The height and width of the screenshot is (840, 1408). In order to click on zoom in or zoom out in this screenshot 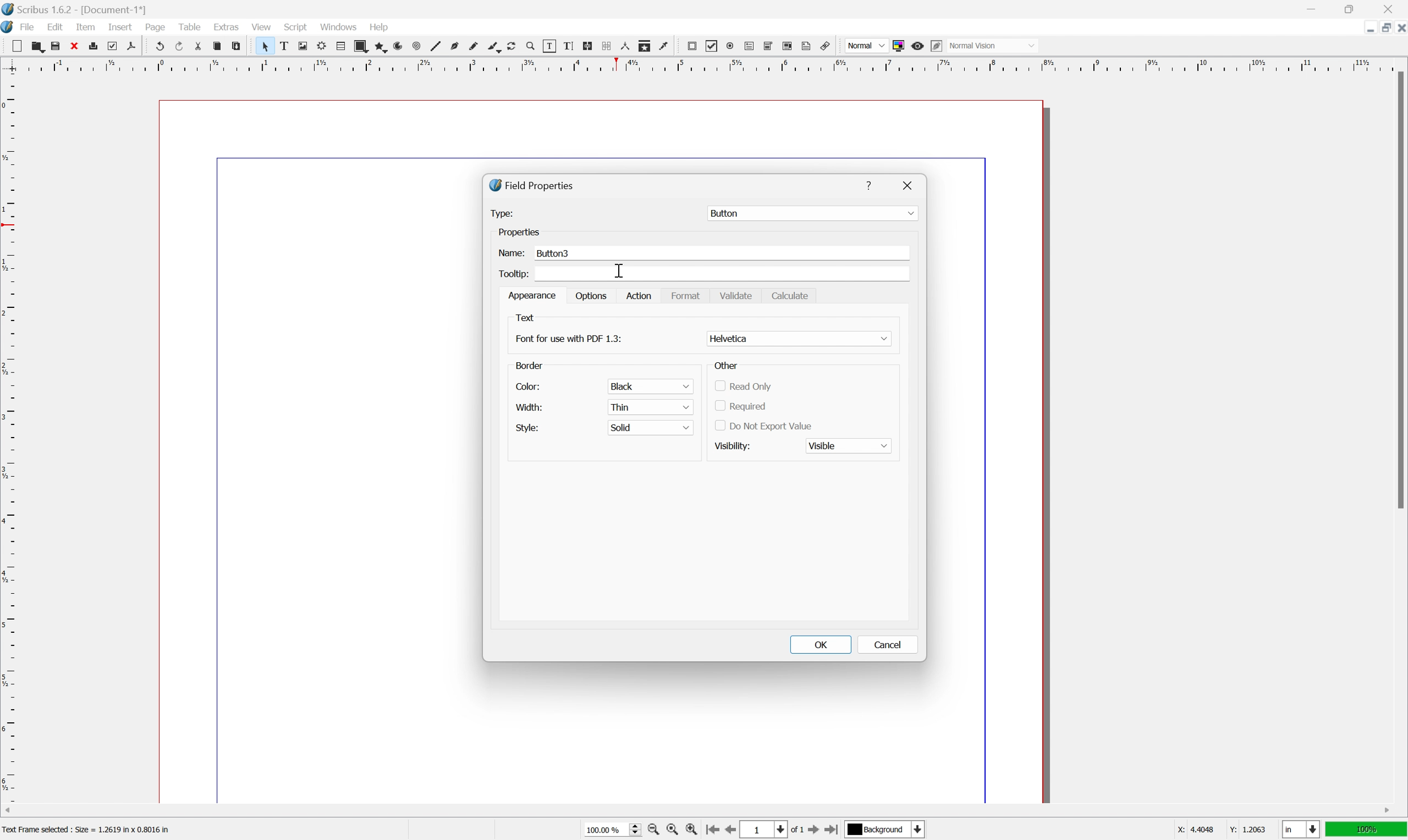, I will do `click(532, 46)`.